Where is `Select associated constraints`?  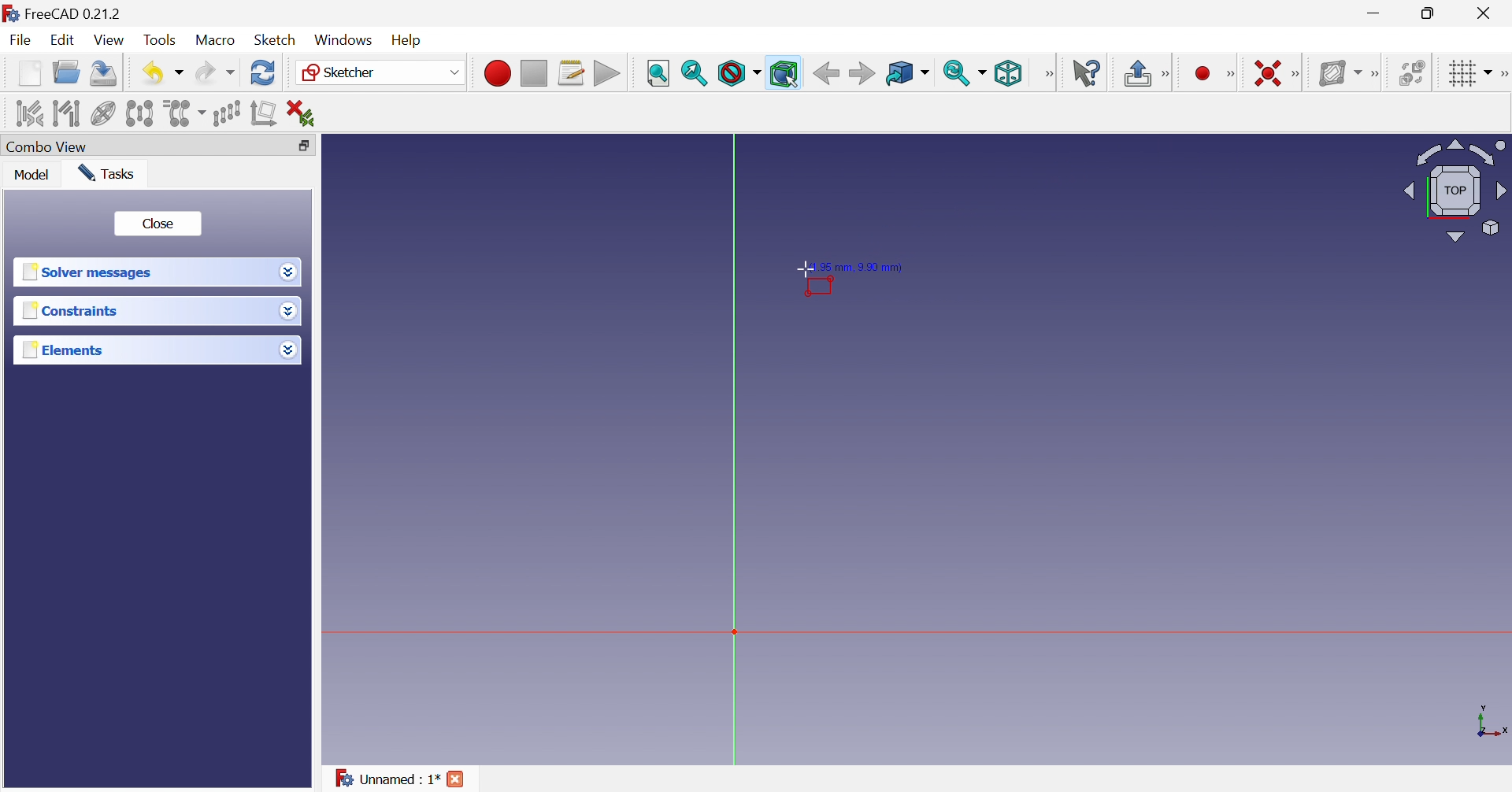
Select associated constraints is located at coordinates (30, 113).